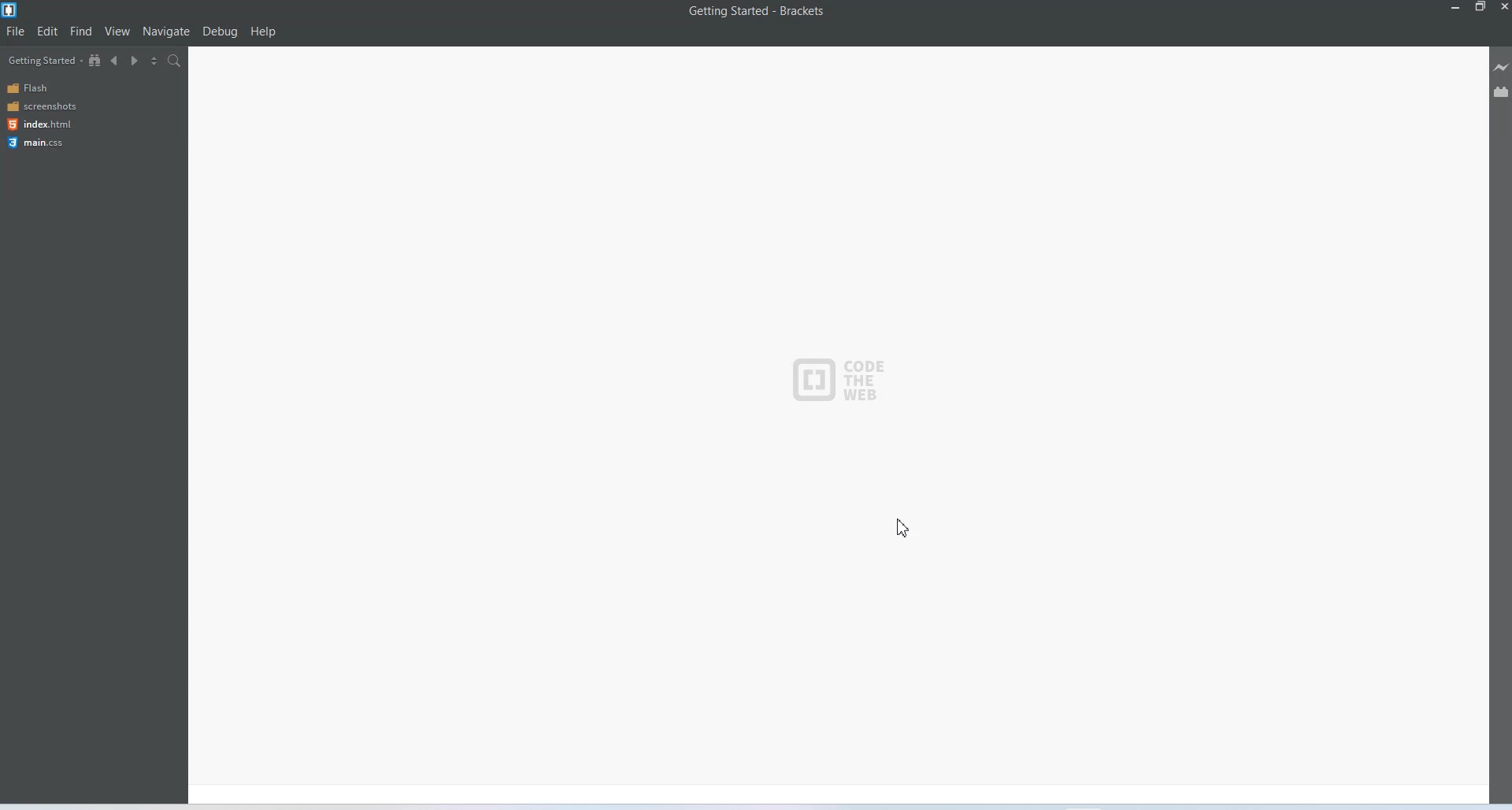 The image size is (1512, 810). I want to click on Close, so click(1503, 8).